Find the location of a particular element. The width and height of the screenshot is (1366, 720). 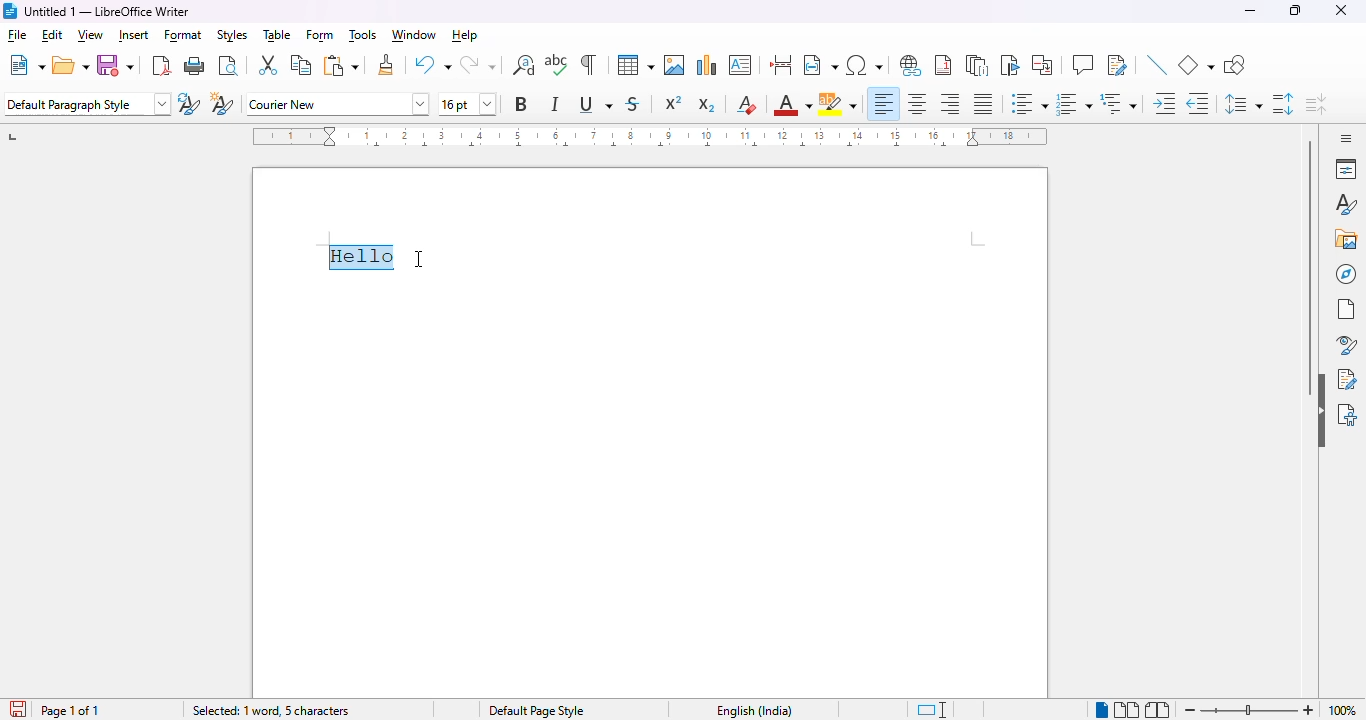

styles is located at coordinates (1344, 205).